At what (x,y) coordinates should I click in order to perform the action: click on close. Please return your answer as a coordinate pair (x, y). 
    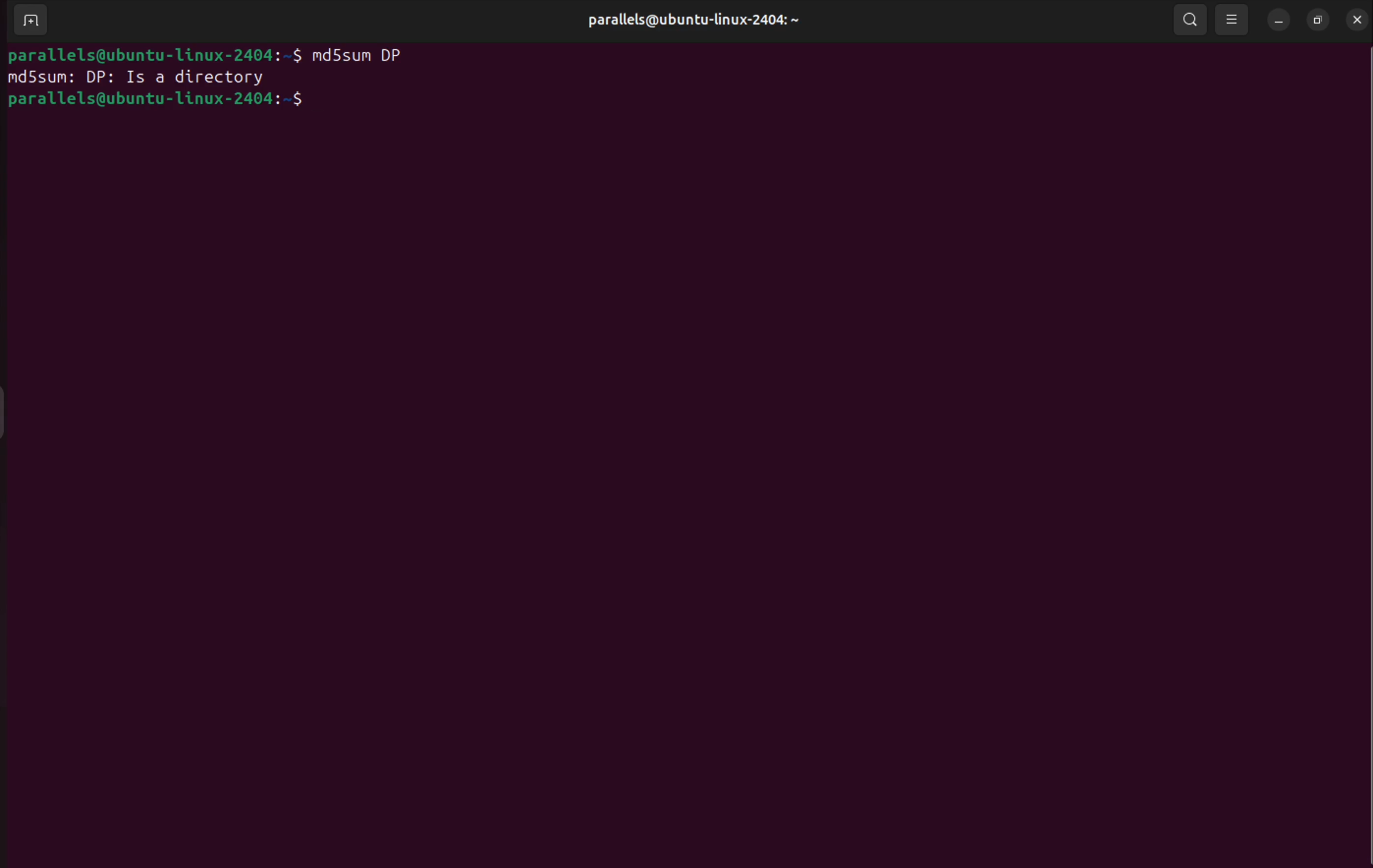
    Looking at the image, I should click on (1354, 19).